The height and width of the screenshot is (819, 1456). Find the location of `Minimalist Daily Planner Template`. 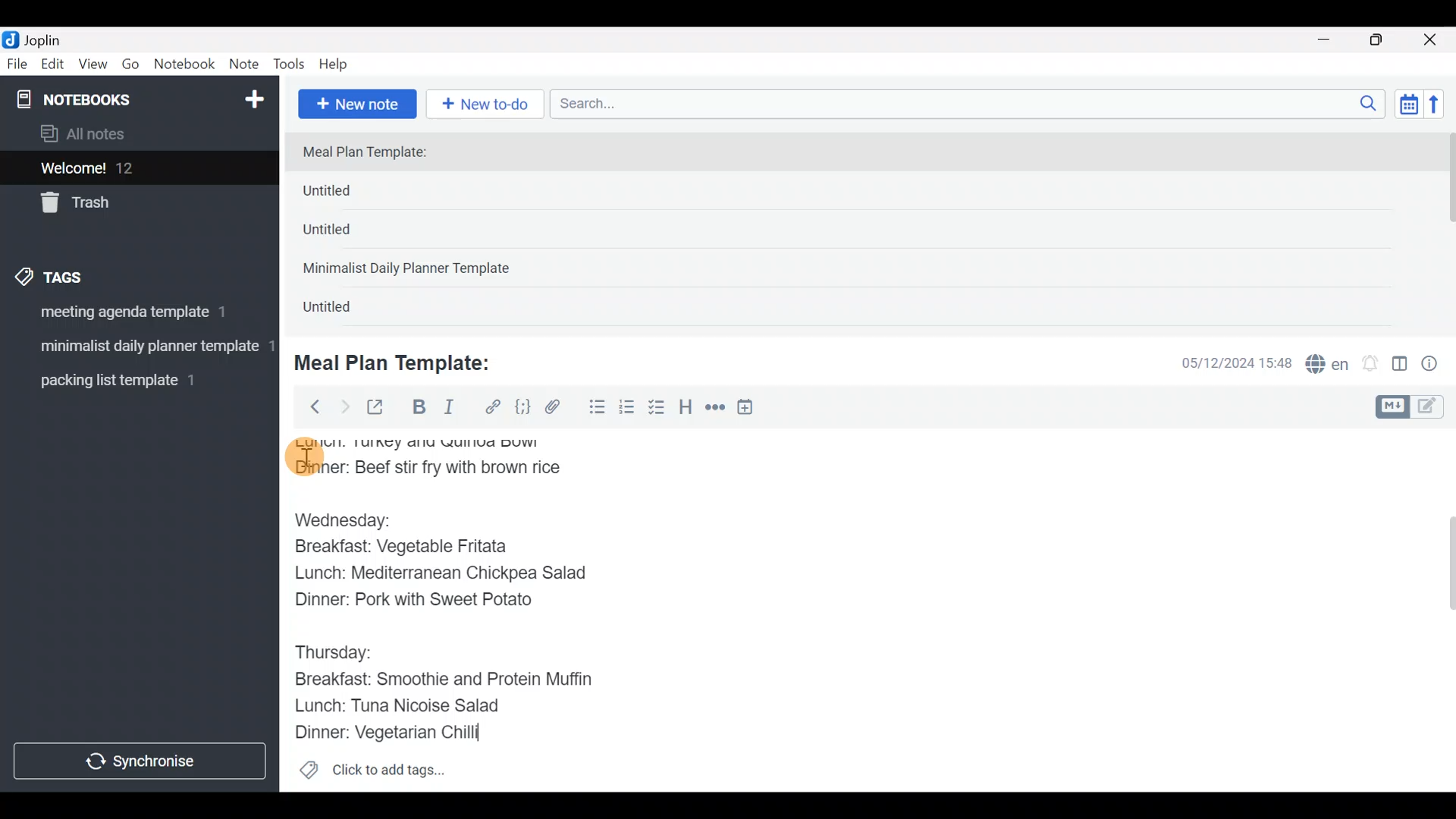

Minimalist Daily Planner Template is located at coordinates (411, 270).